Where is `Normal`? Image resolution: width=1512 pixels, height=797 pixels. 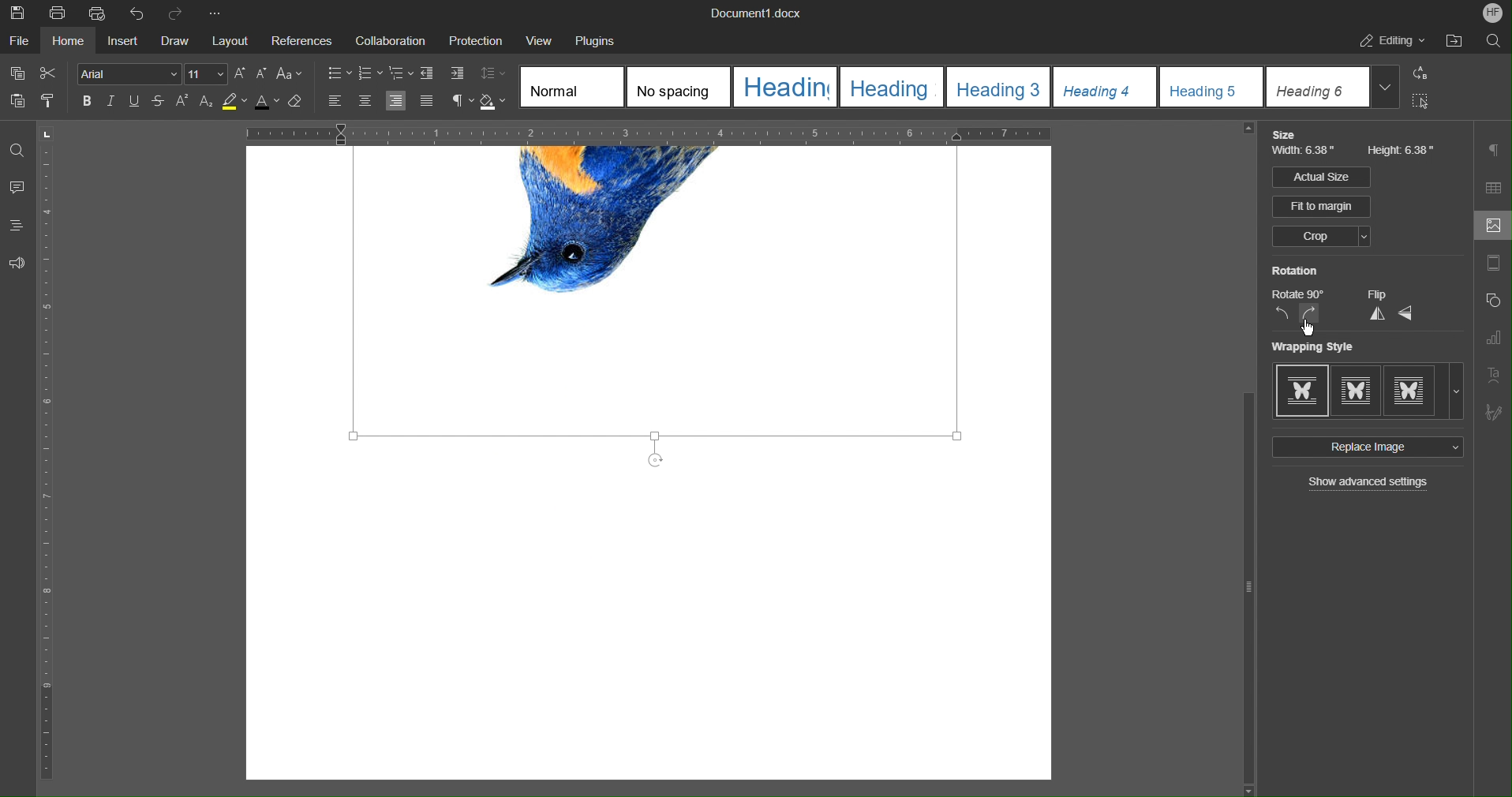 Normal is located at coordinates (572, 85).